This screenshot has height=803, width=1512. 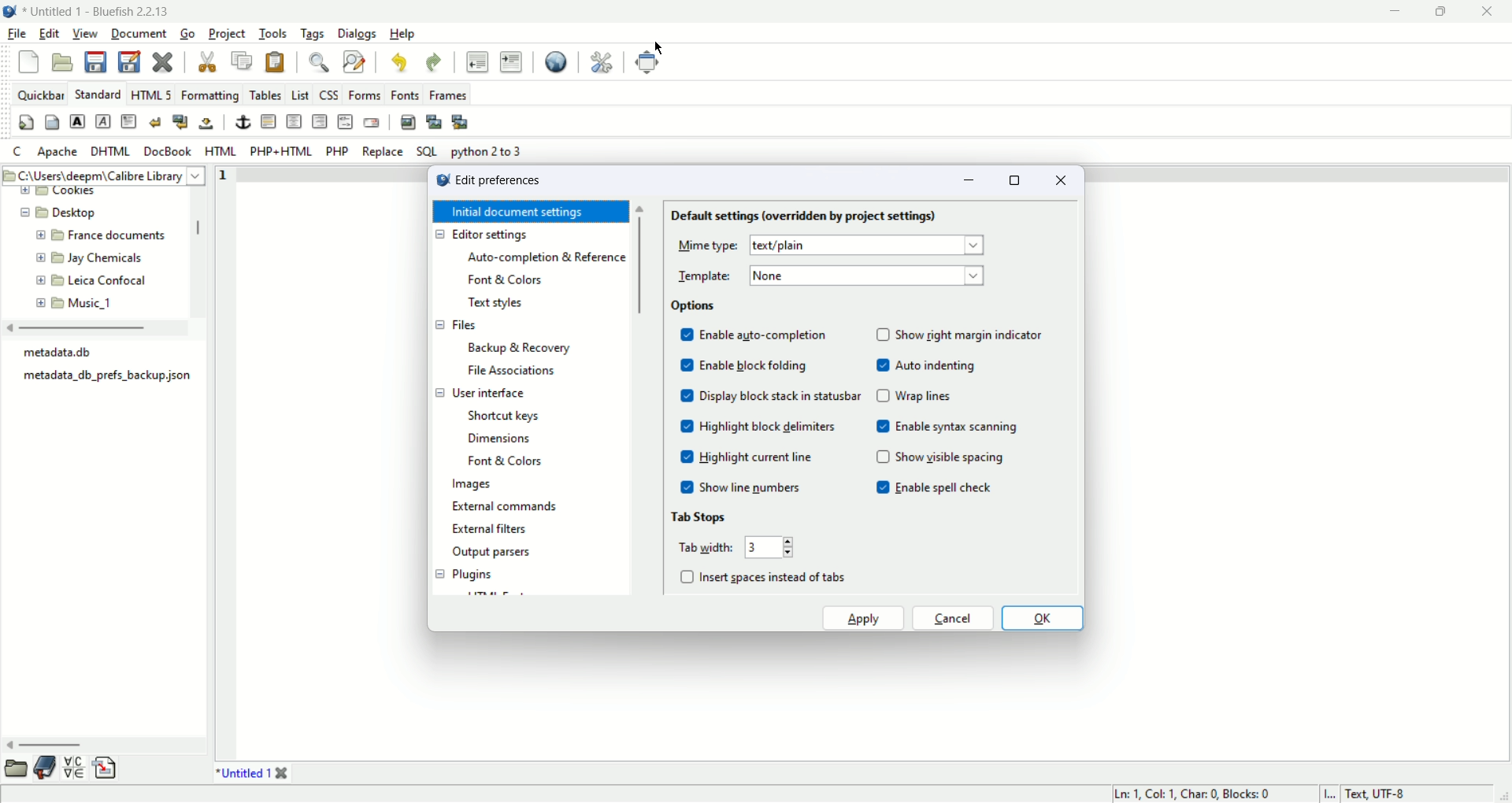 What do you see at coordinates (365, 95) in the screenshot?
I see `Forms` at bounding box center [365, 95].